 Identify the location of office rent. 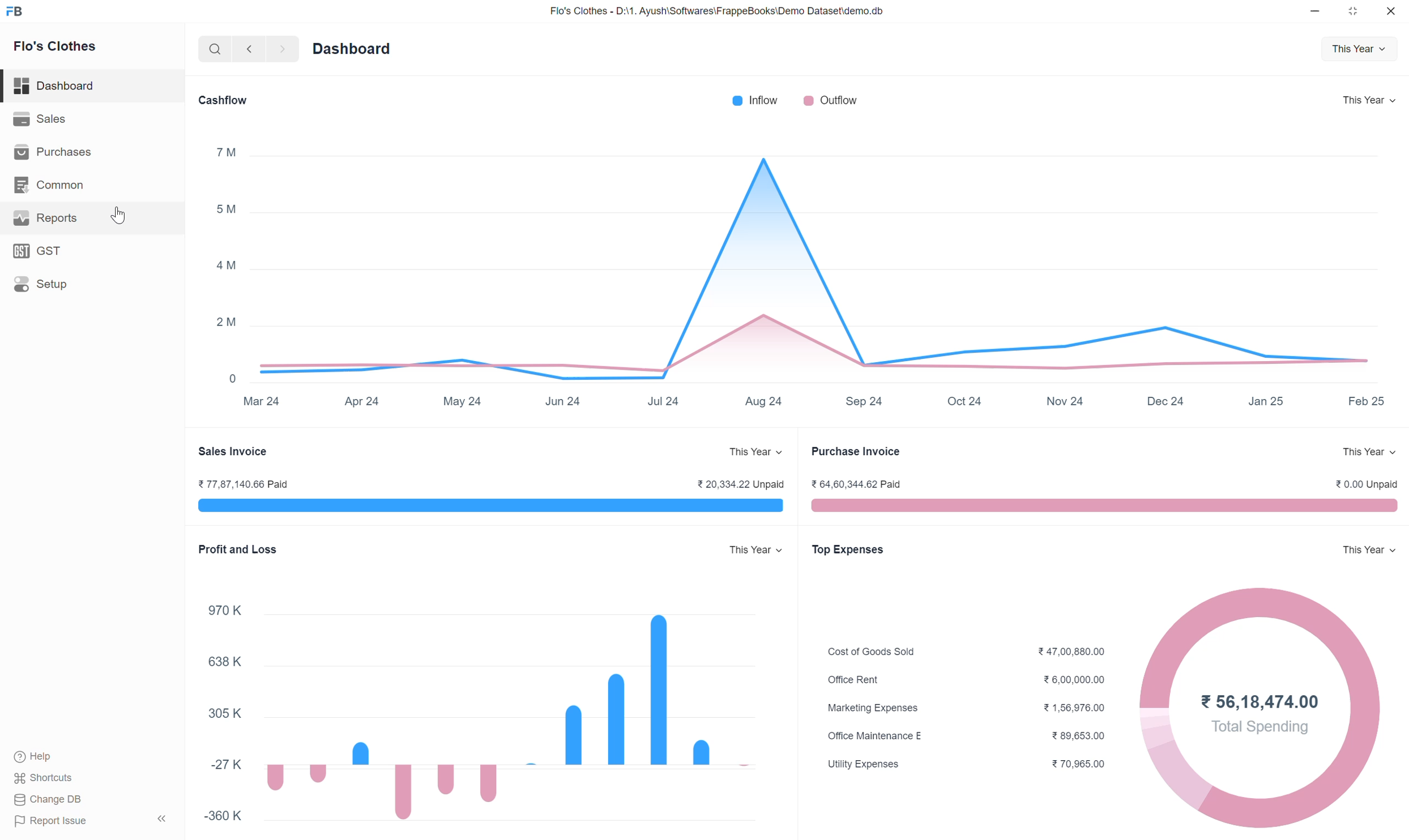
(856, 680).